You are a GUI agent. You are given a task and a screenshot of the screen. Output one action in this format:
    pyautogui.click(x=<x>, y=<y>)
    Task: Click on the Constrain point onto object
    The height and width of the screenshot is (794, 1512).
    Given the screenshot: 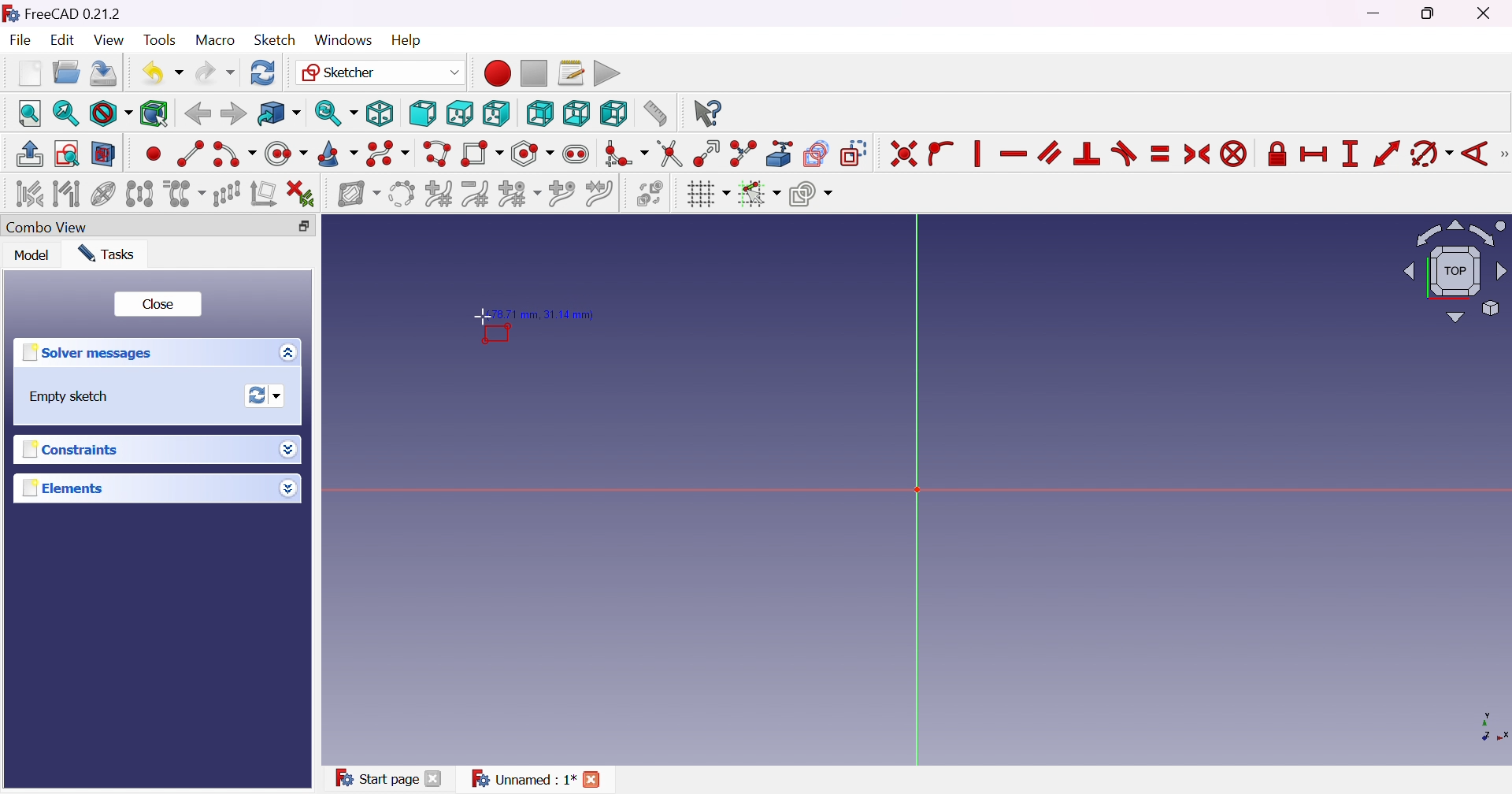 What is the action you would take?
    pyautogui.click(x=943, y=155)
    